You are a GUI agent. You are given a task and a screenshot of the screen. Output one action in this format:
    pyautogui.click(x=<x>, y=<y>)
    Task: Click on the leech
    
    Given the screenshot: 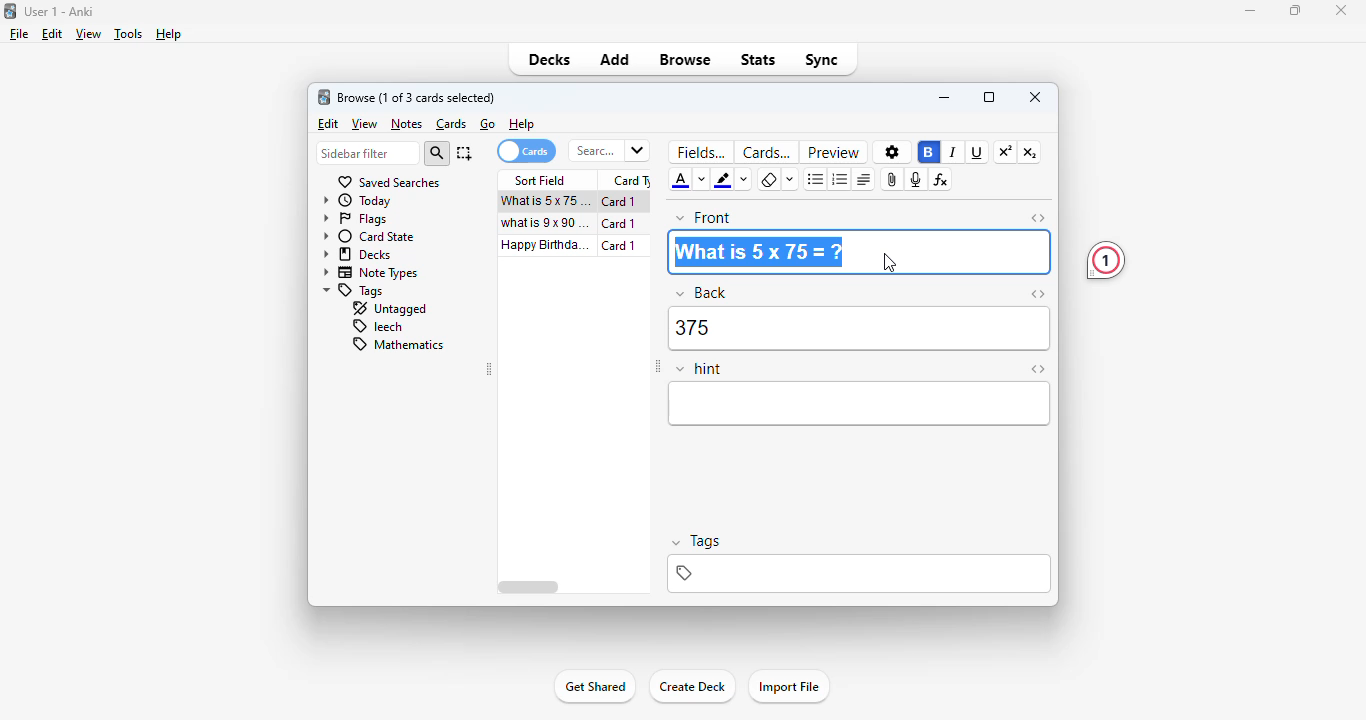 What is the action you would take?
    pyautogui.click(x=377, y=327)
    